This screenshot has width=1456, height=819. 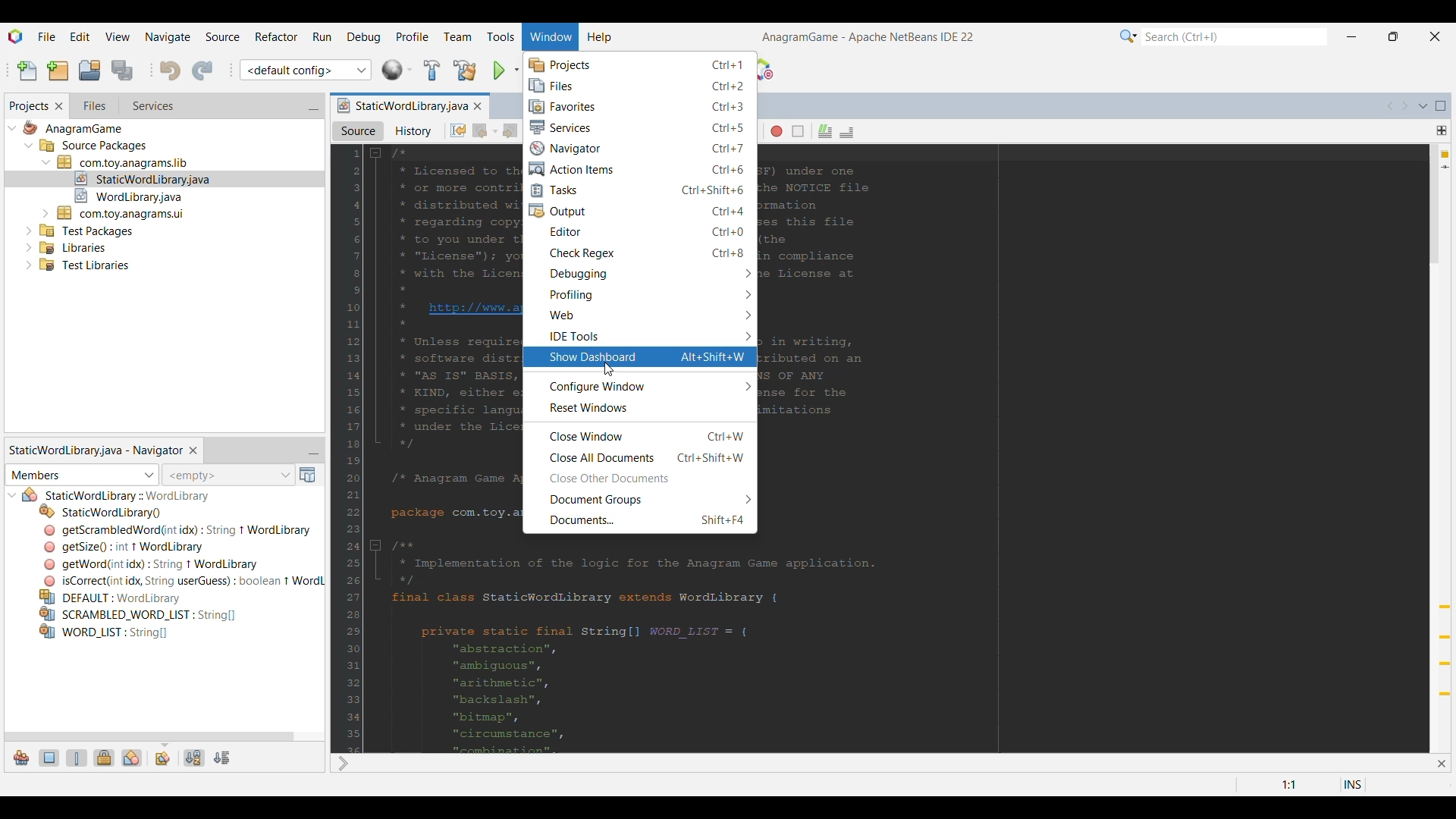 What do you see at coordinates (364, 36) in the screenshot?
I see `Debug menu` at bounding box center [364, 36].